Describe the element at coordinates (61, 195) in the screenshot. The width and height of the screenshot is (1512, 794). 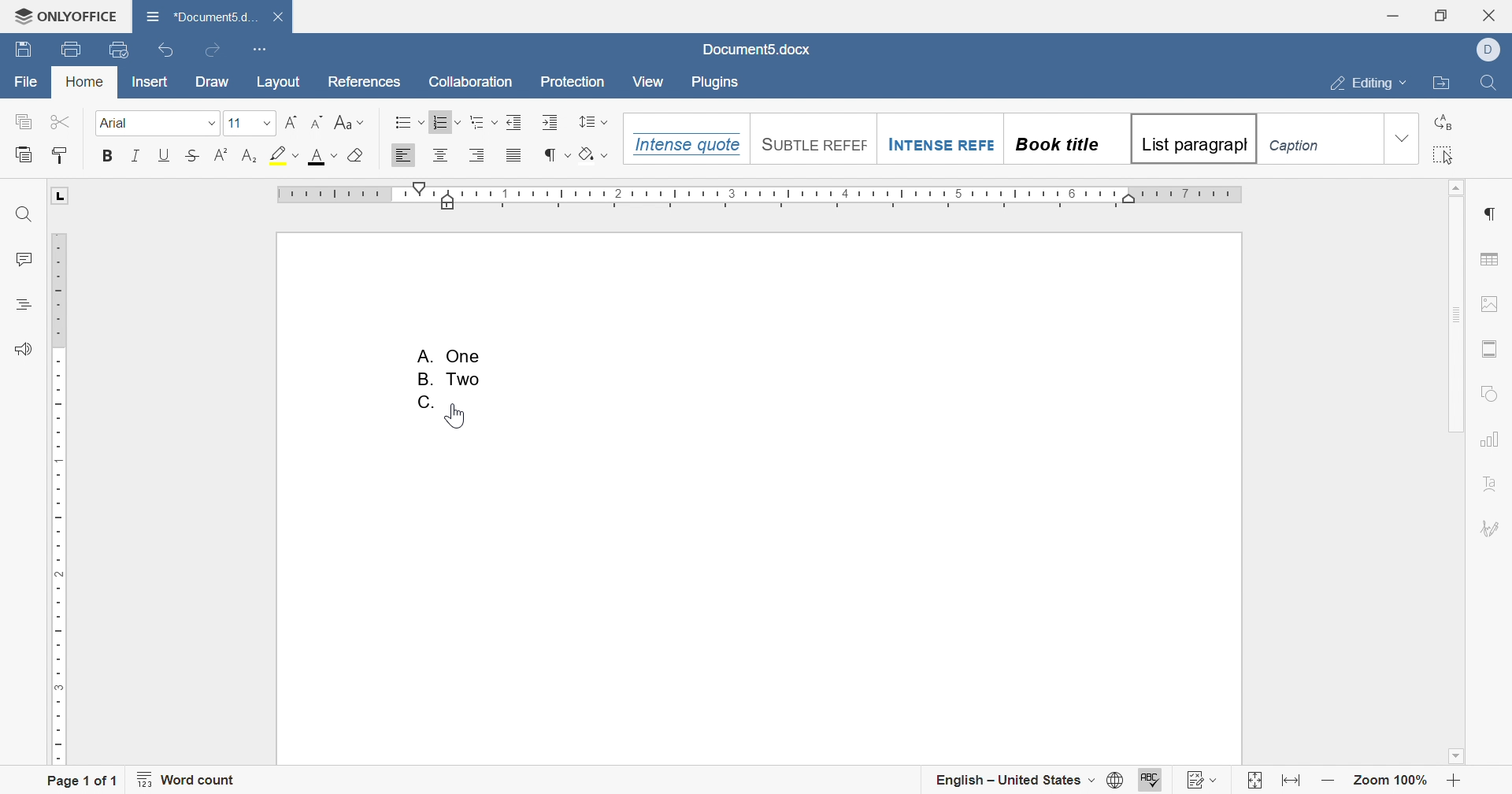
I see `L` at that location.